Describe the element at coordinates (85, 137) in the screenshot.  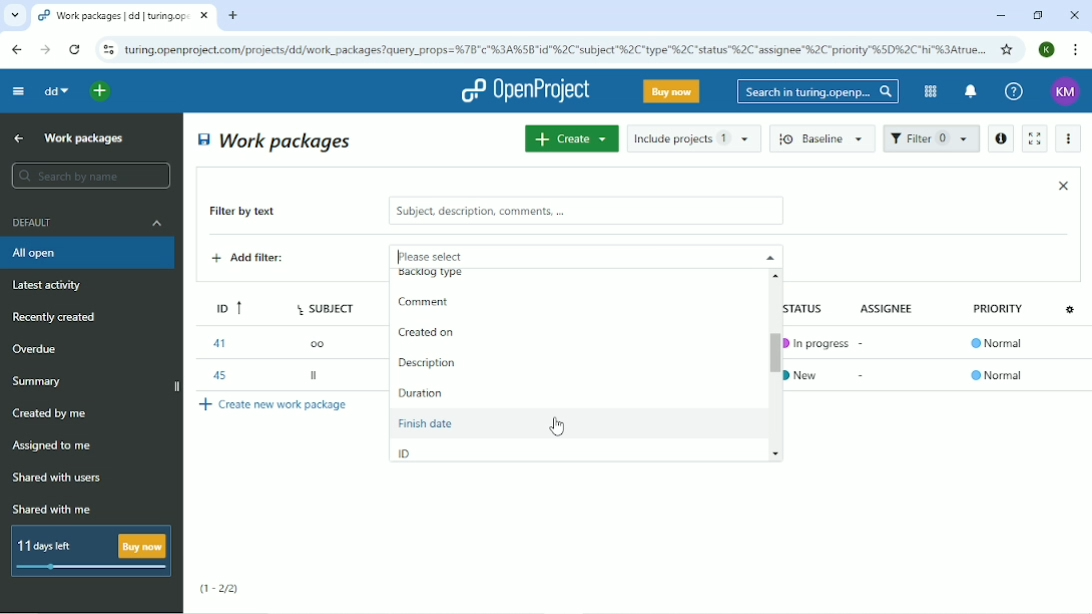
I see `Work packages` at that location.